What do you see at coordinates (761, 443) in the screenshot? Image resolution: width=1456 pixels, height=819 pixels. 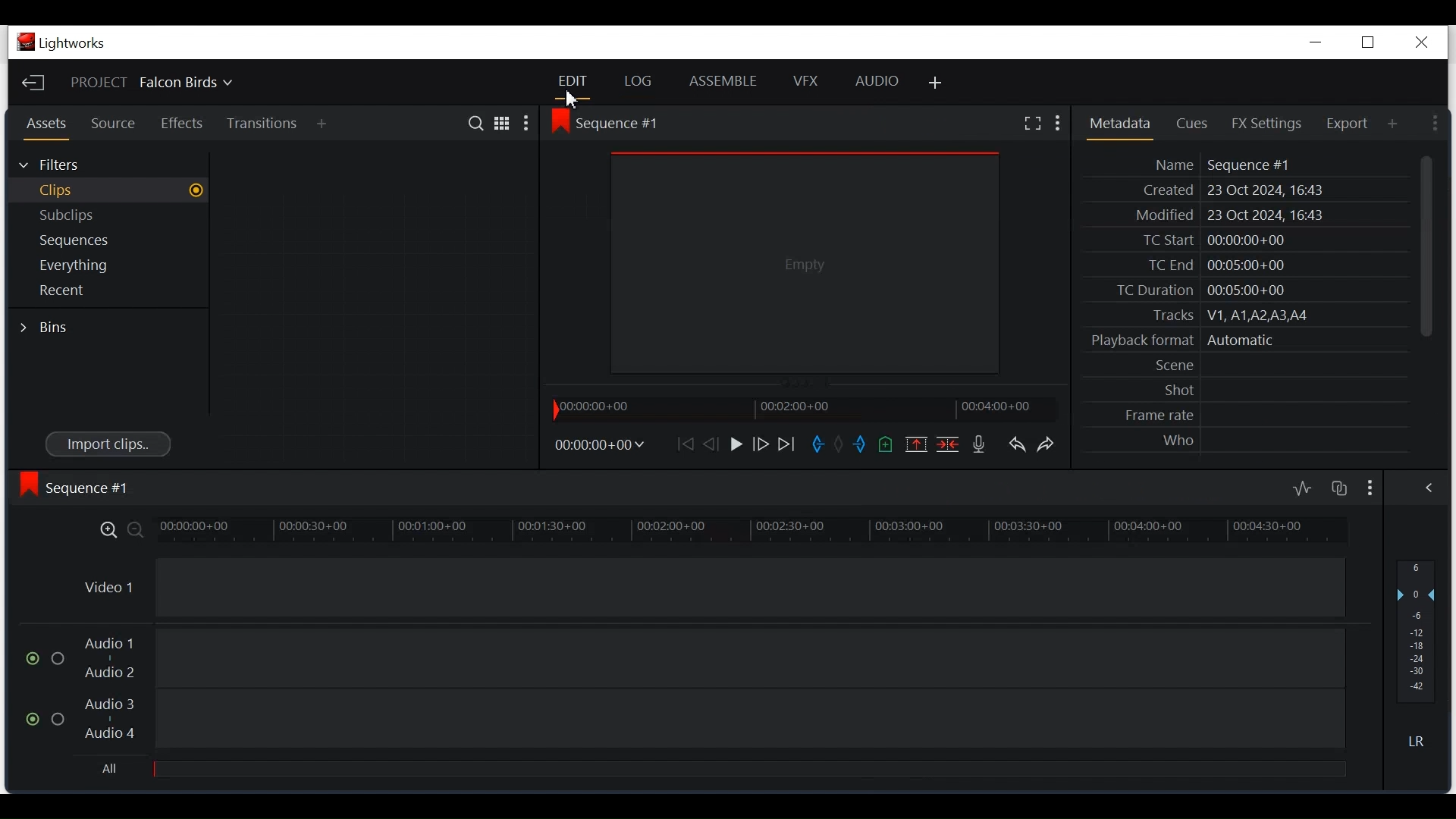 I see `Nudge one frame forward` at bounding box center [761, 443].